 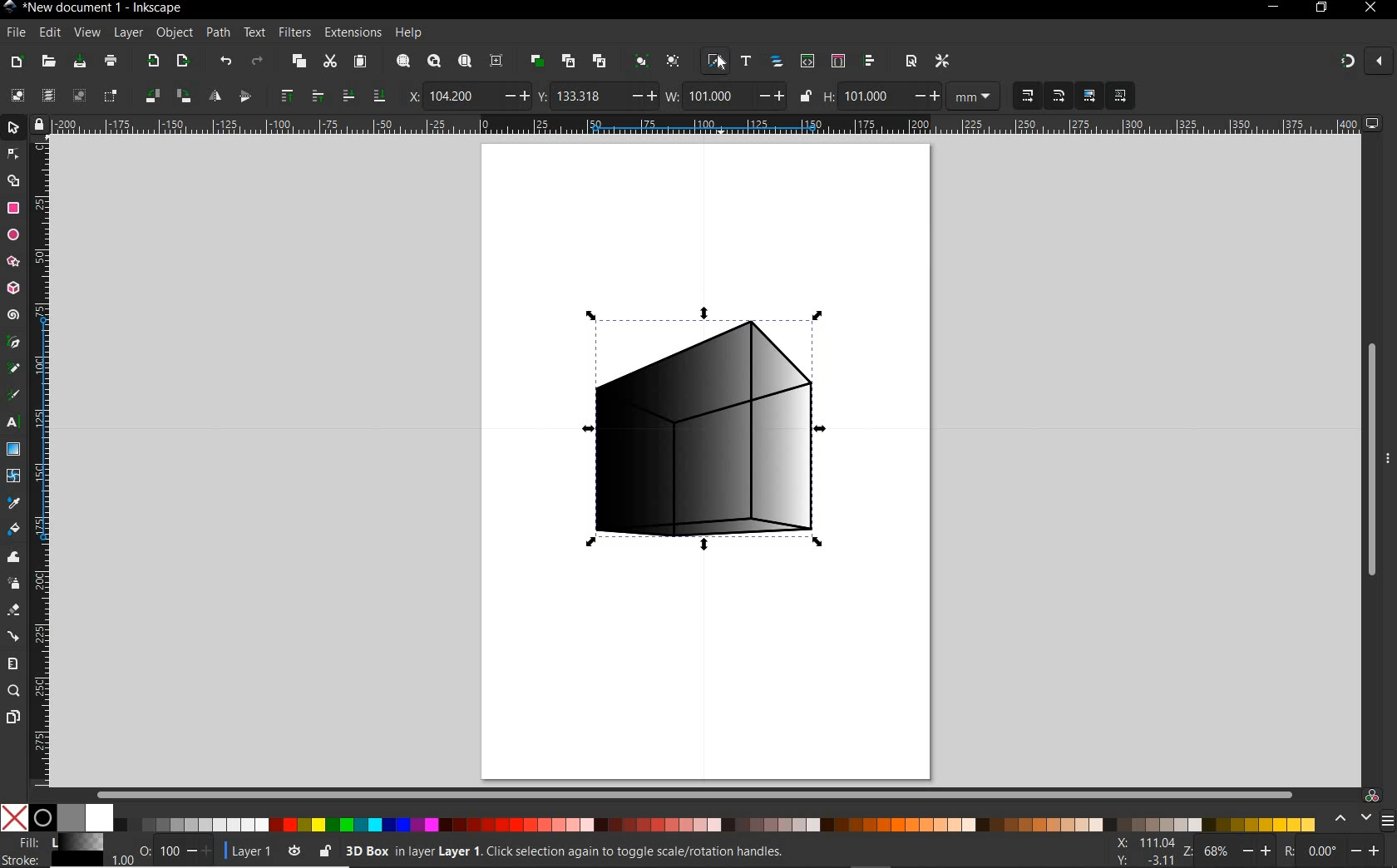 I want to click on SELECTOR TOOL, so click(x=14, y=129).